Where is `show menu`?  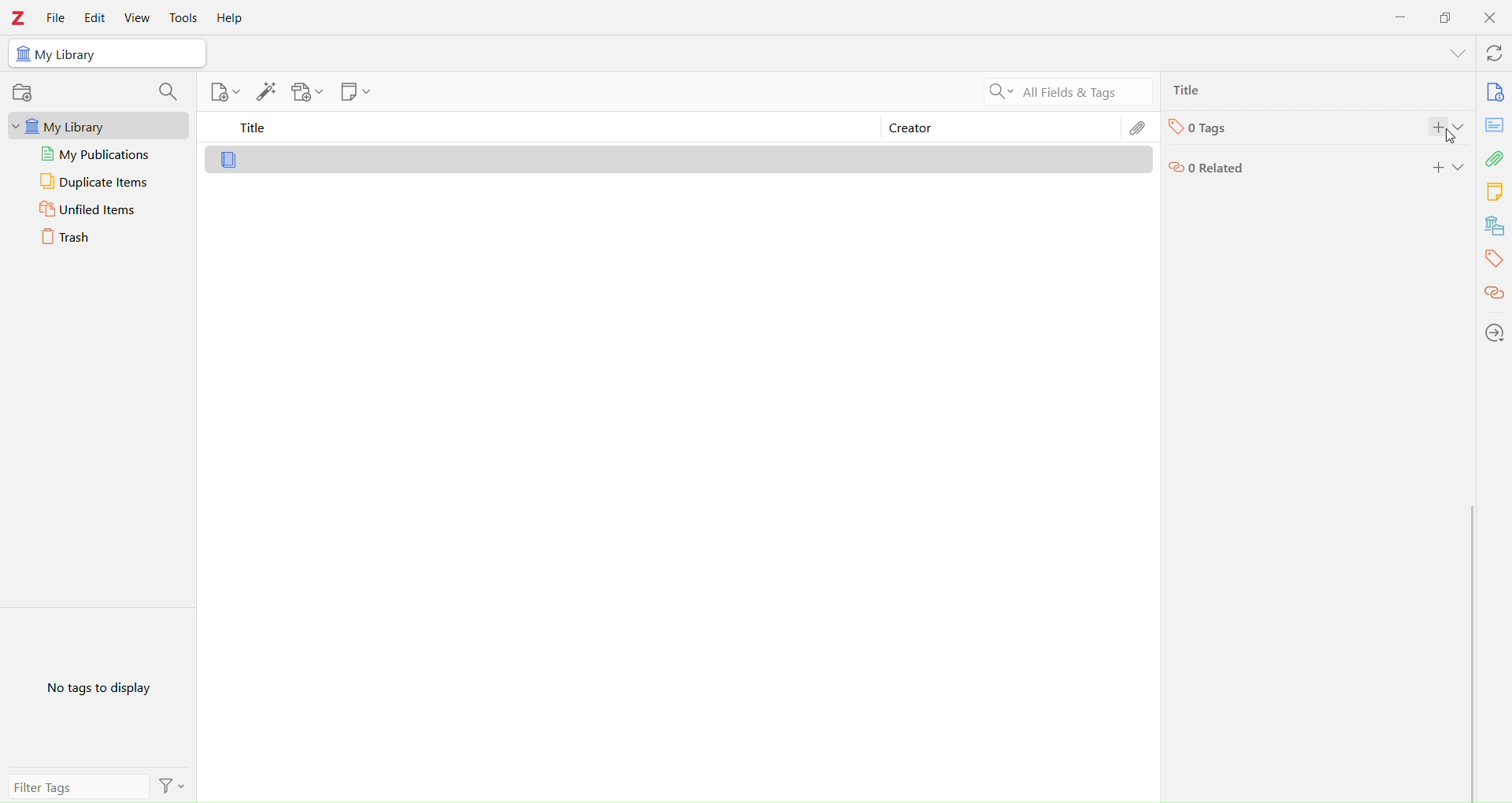 show menu is located at coordinates (1443, 58).